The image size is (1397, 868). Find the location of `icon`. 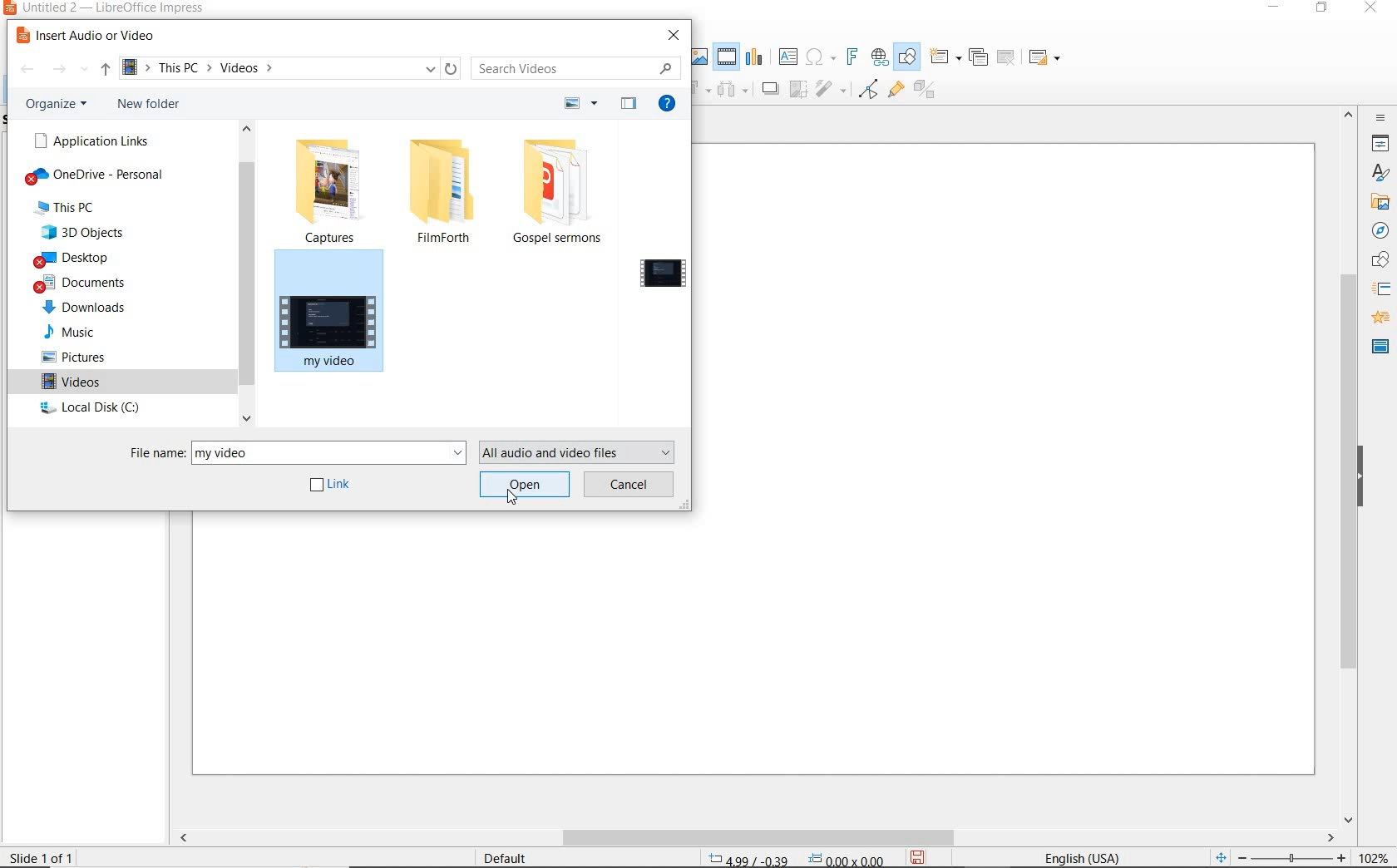

icon is located at coordinates (733, 90).